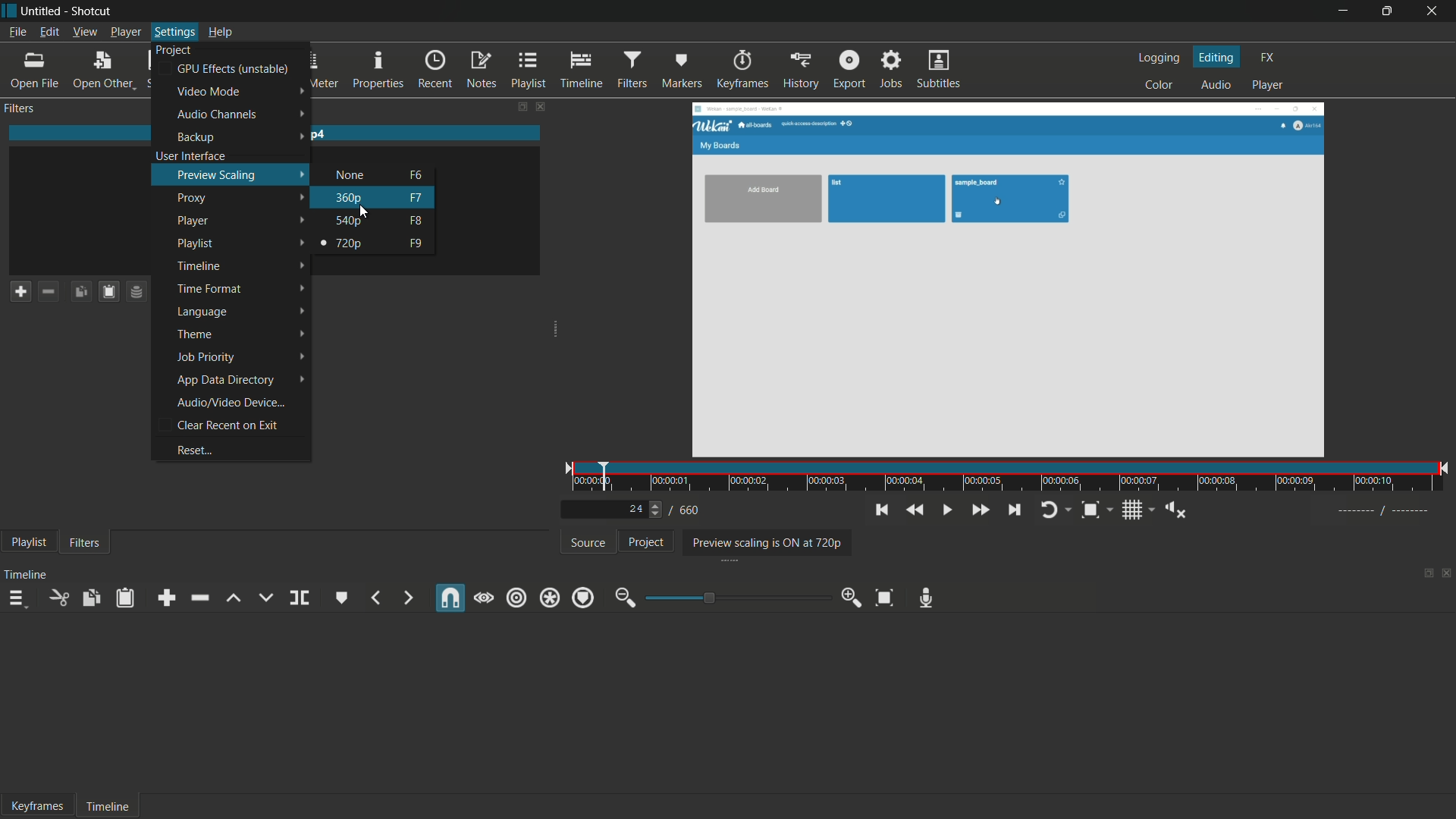  Describe the element at coordinates (47, 291) in the screenshot. I see `remove a filter` at that location.